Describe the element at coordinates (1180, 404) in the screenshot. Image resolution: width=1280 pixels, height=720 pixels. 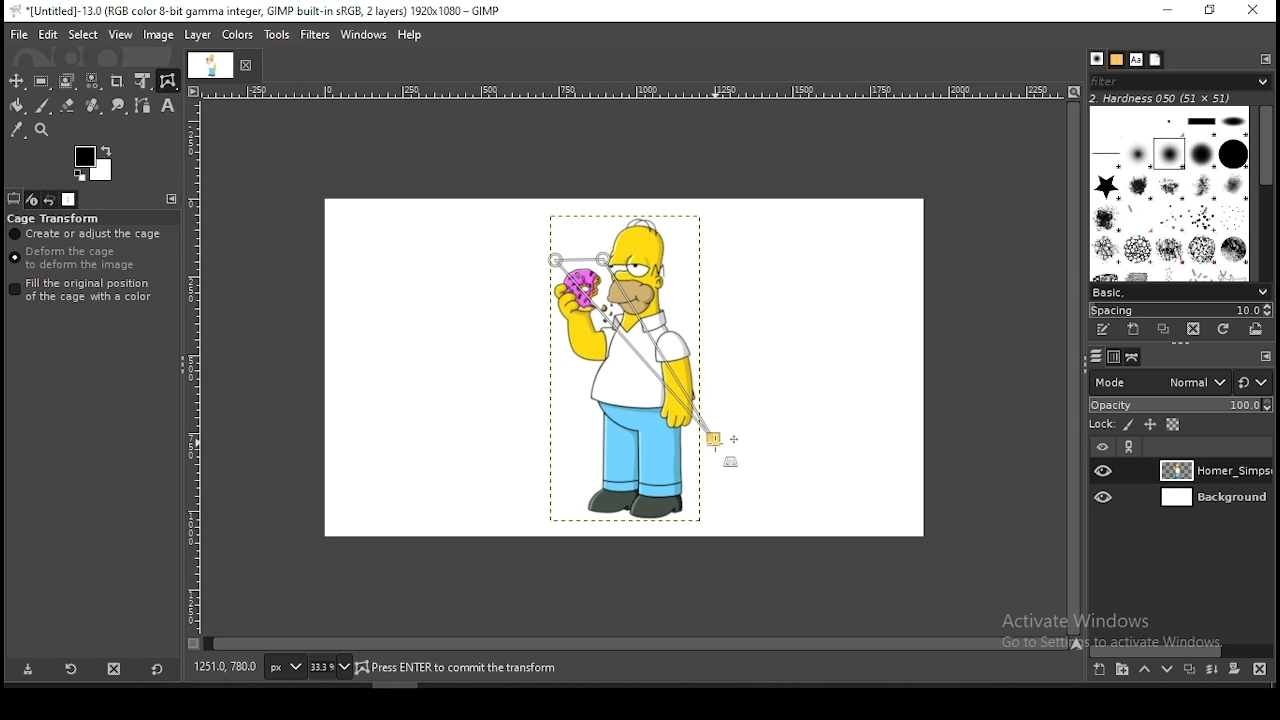
I see `opacity` at that location.